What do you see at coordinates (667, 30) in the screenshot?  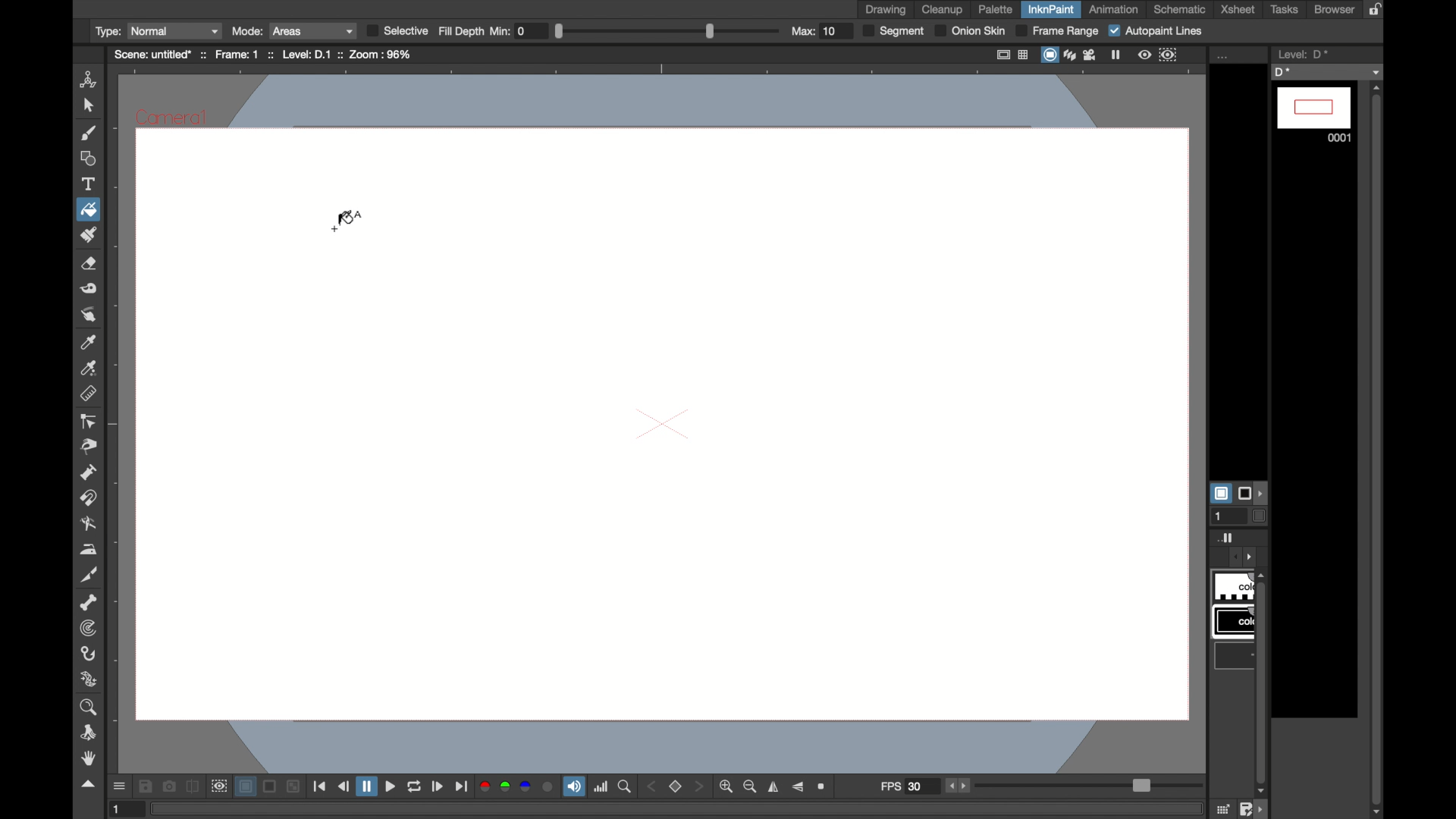 I see `Slider` at bounding box center [667, 30].